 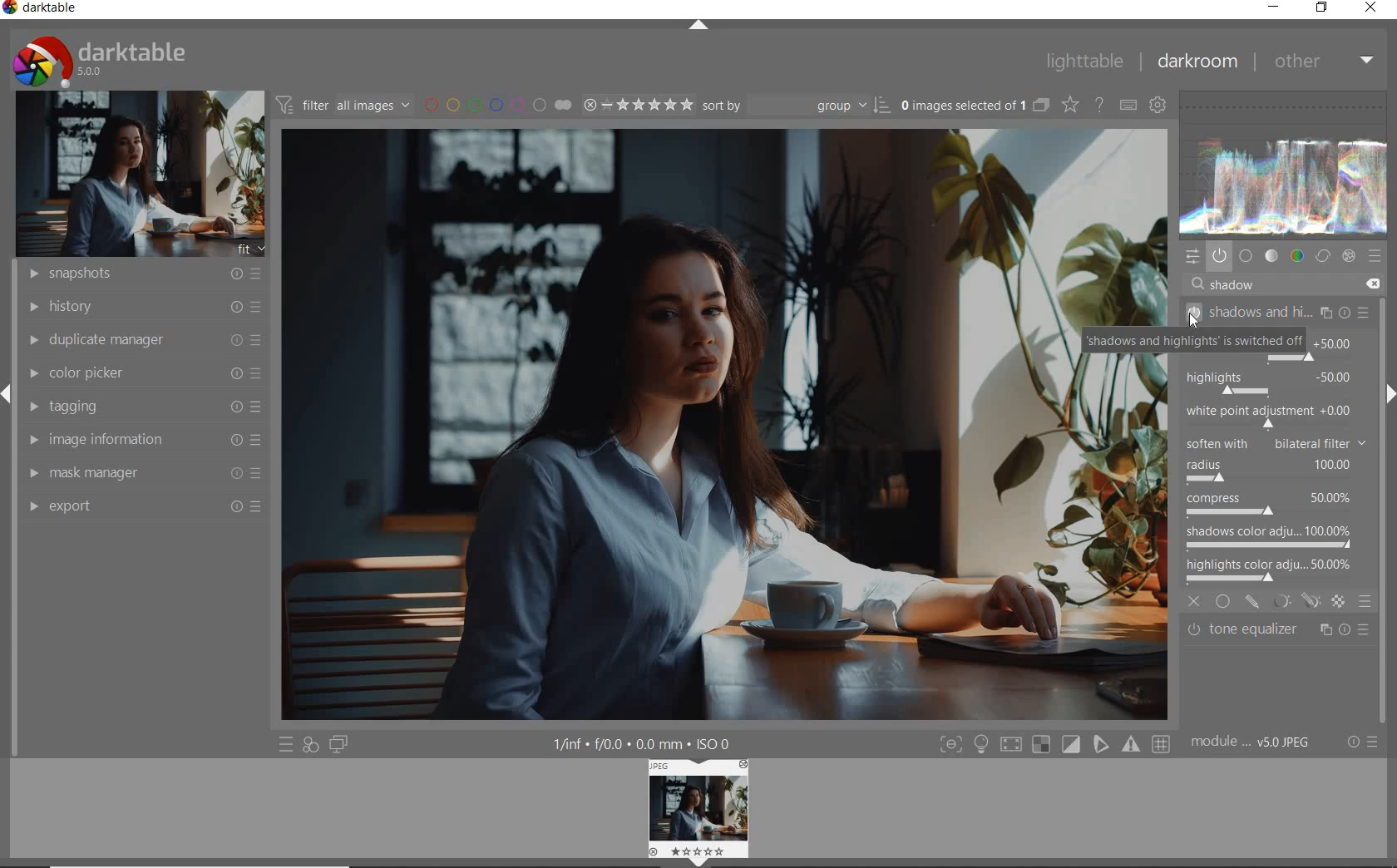 I want to click on Sort, so click(x=797, y=104).